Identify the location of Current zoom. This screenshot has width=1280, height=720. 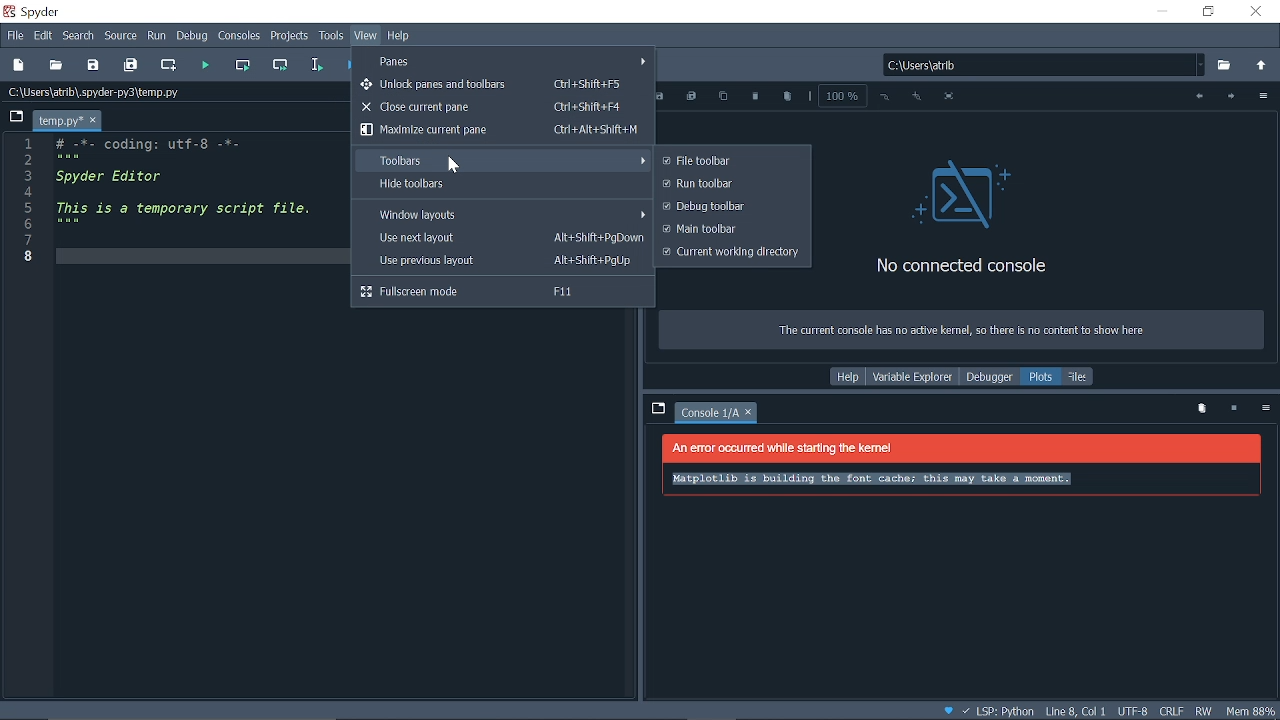
(840, 95).